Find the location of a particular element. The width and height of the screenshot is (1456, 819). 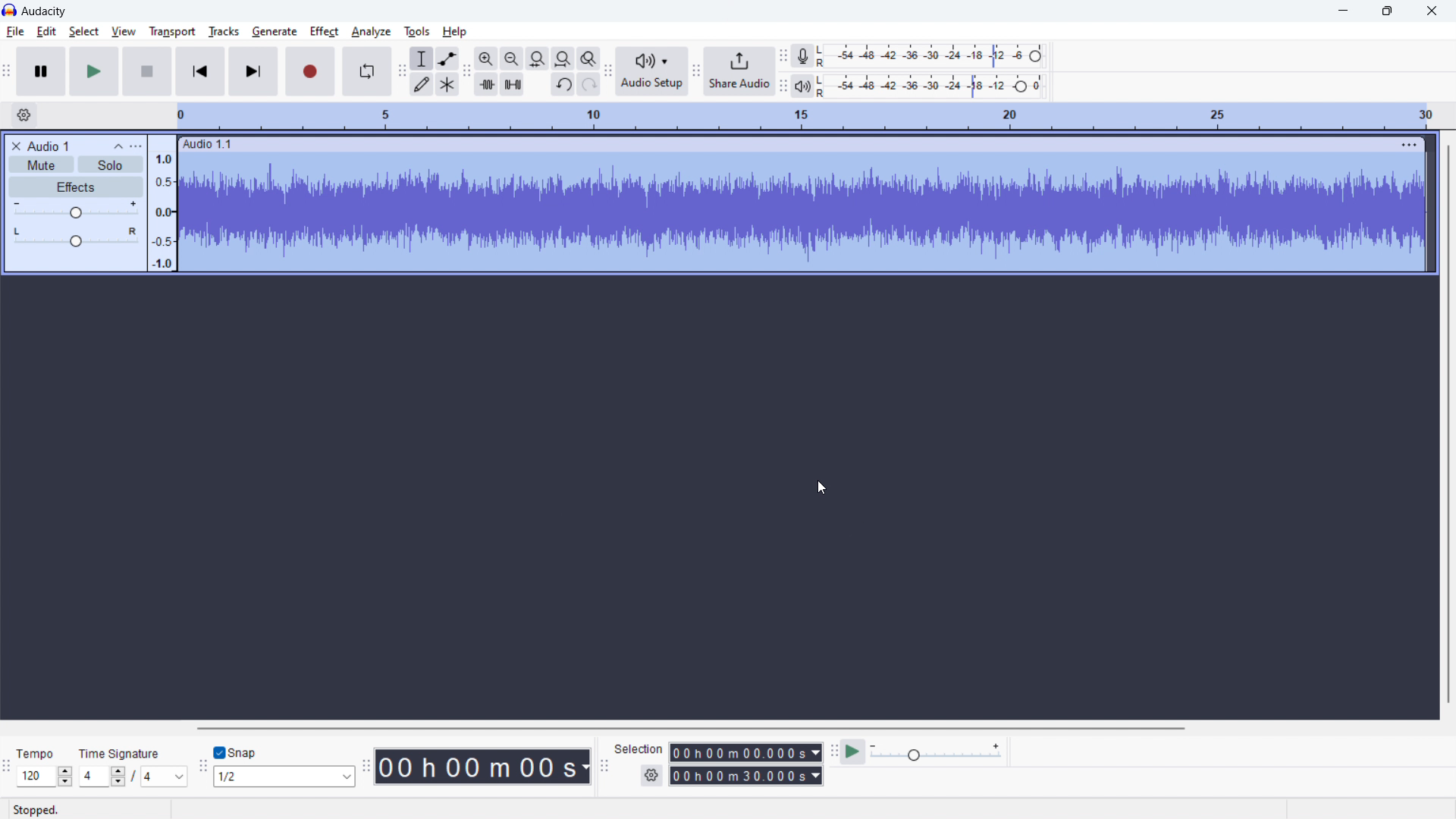

Cursor on generate is located at coordinates (275, 33).